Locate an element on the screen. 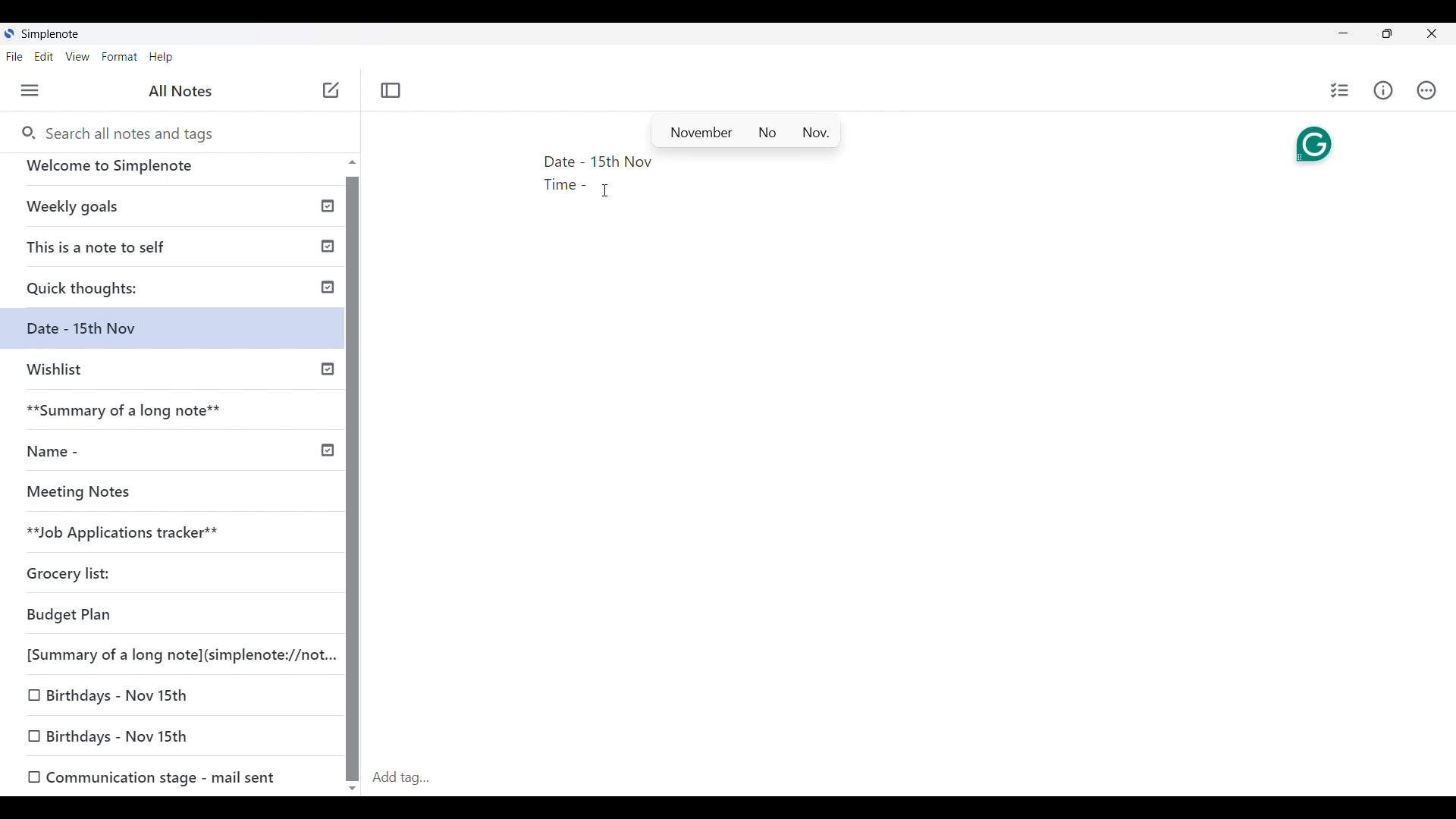 This screenshot has width=1456, height=819. Title of left panel is located at coordinates (181, 91).